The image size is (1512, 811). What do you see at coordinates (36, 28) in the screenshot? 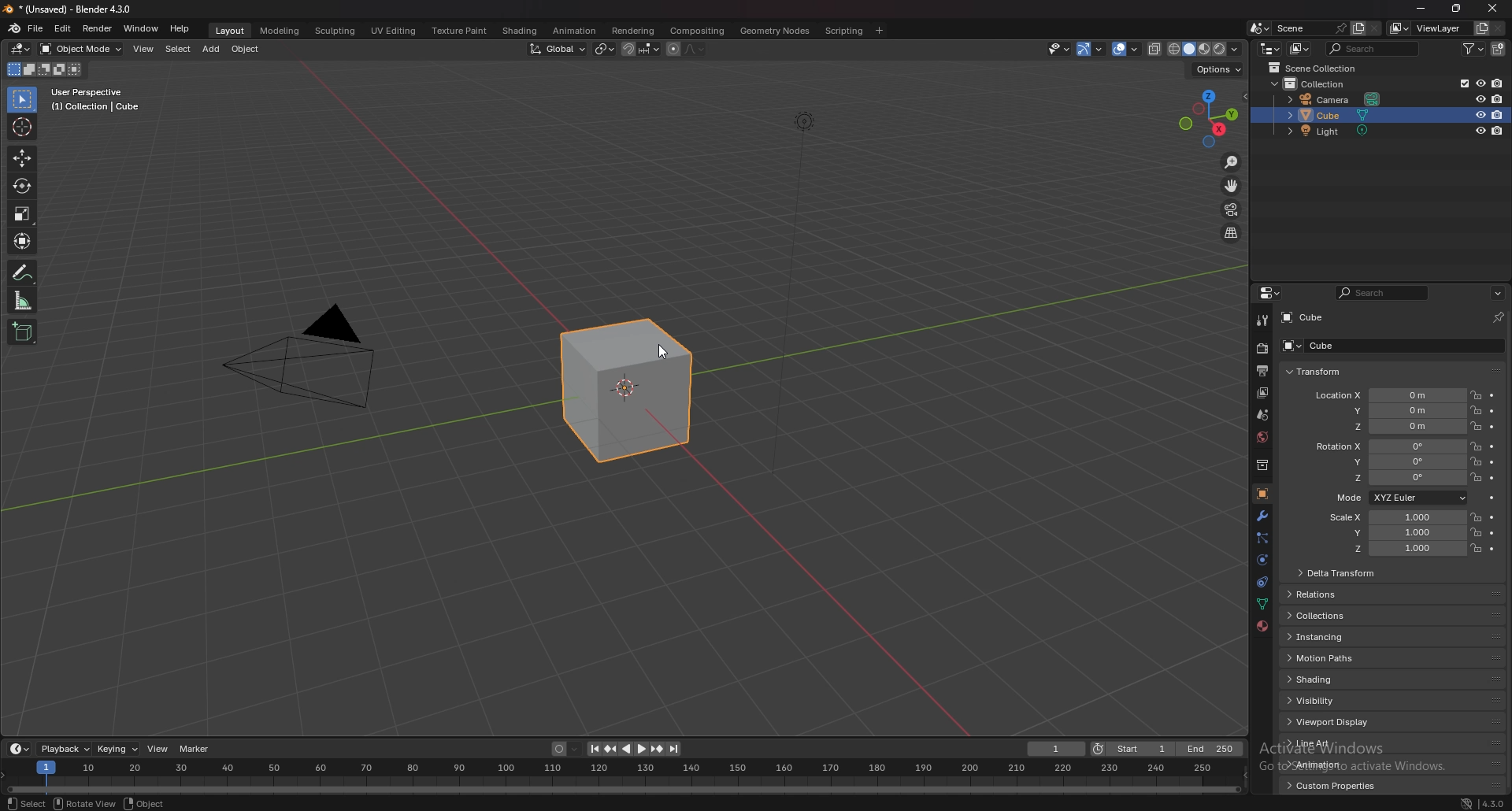
I see `file` at bounding box center [36, 28].